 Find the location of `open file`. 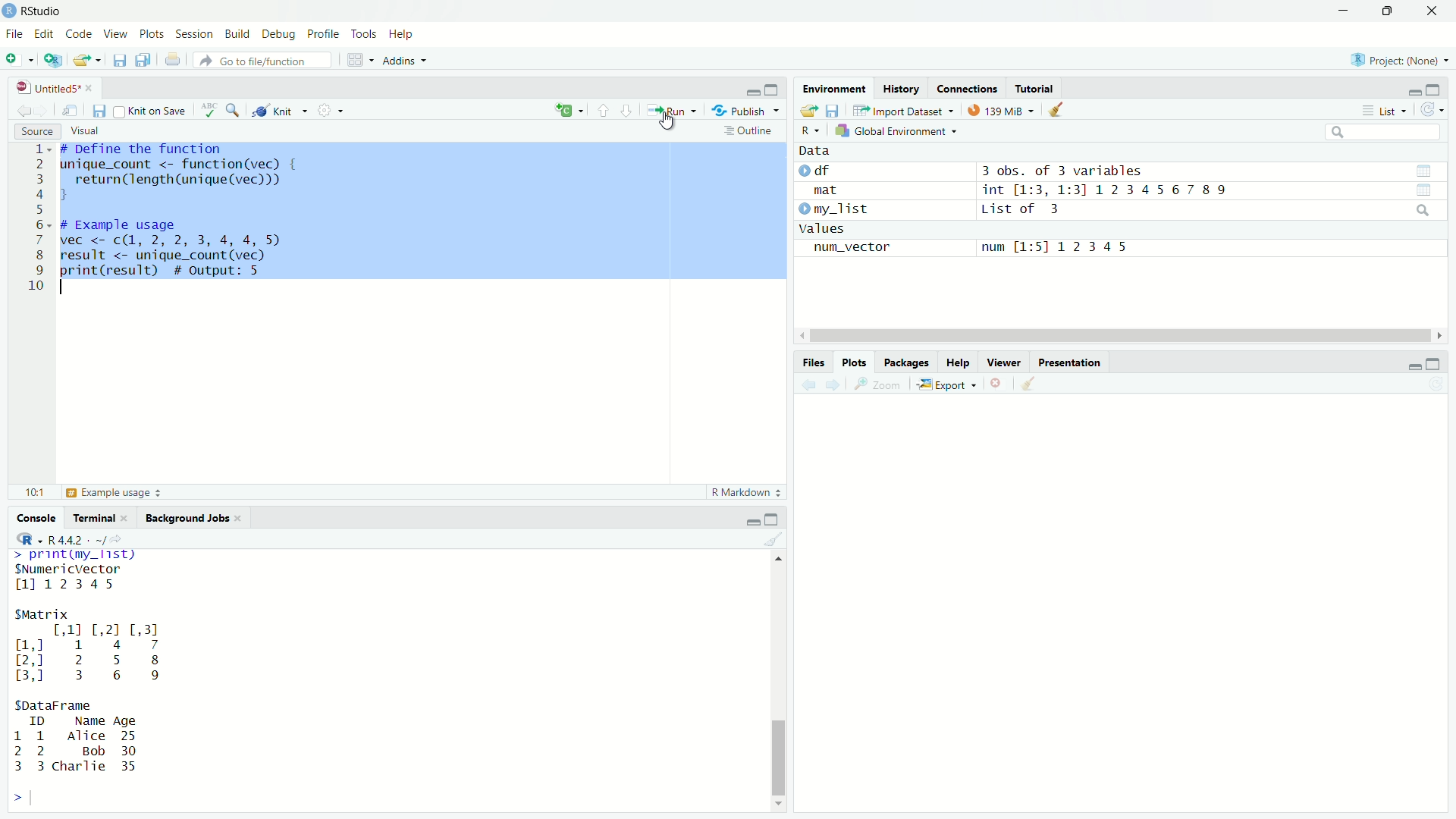

open file is located at coordinates (83, 61).